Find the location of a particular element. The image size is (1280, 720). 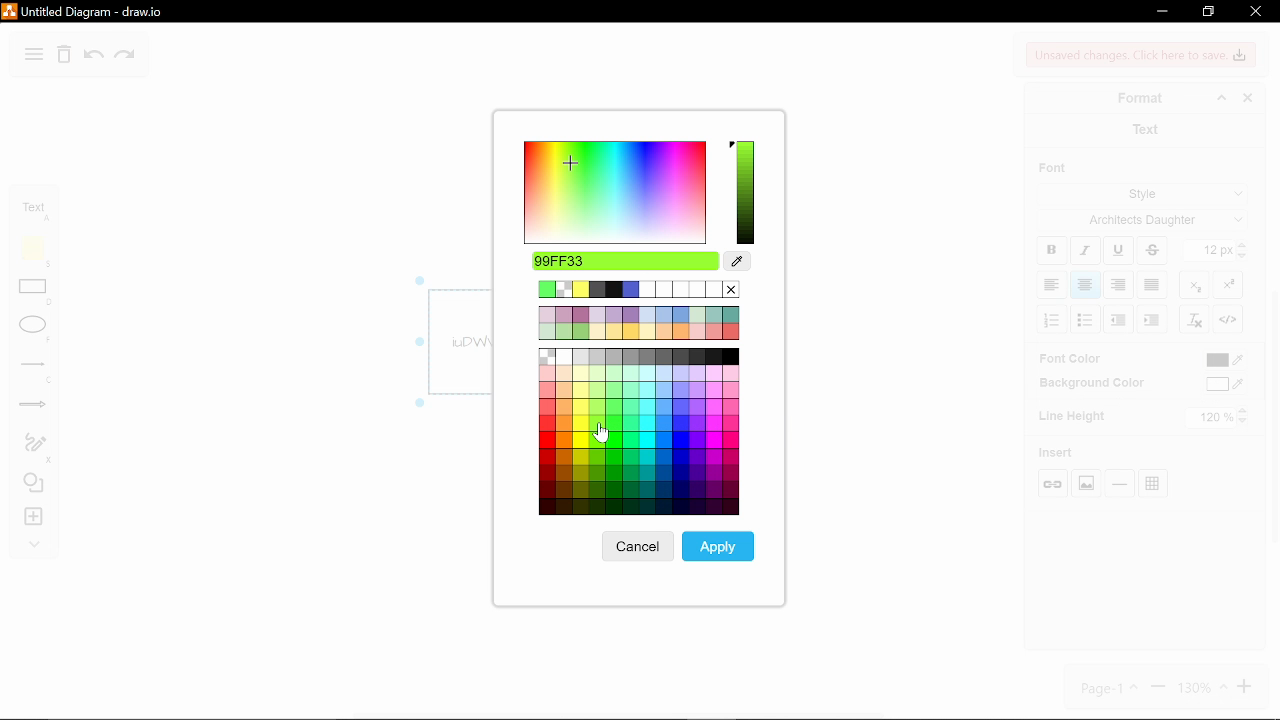

rectangle is located at coordinates (29, 291).